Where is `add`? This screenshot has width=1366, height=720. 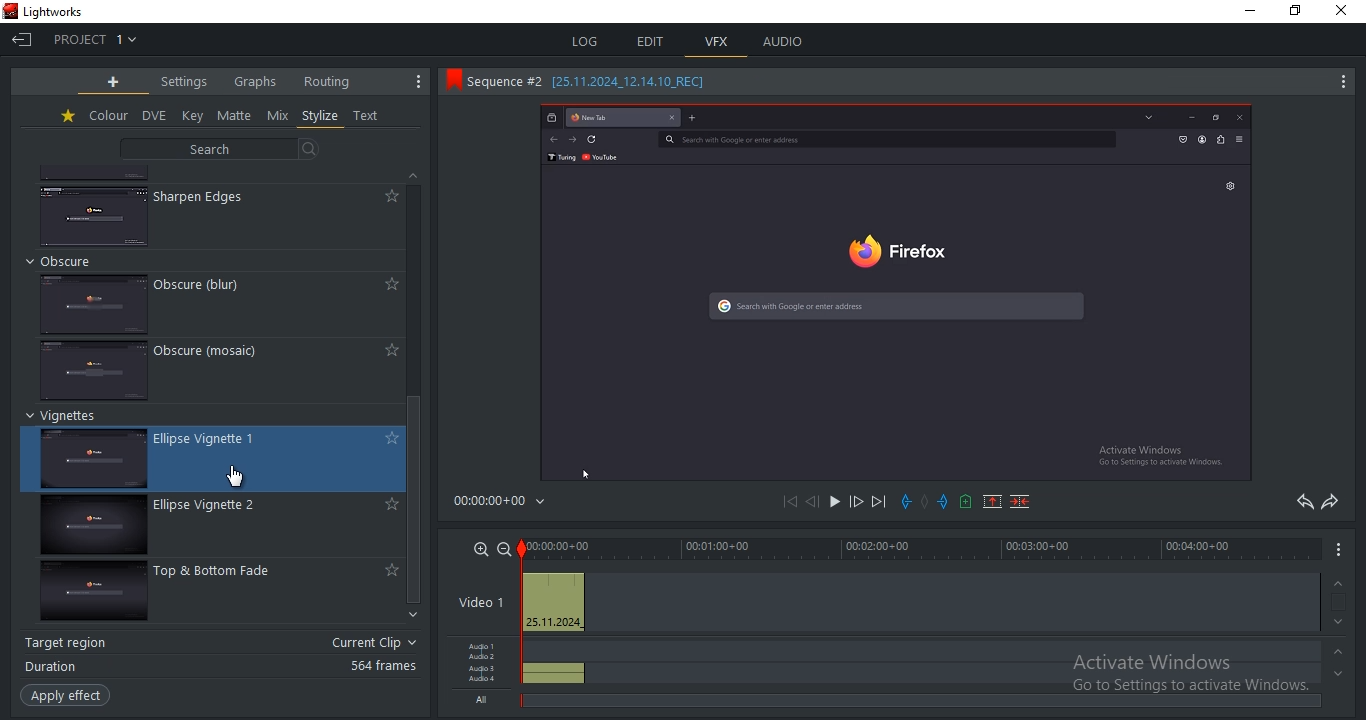
add is located at coordinates (113, 81).